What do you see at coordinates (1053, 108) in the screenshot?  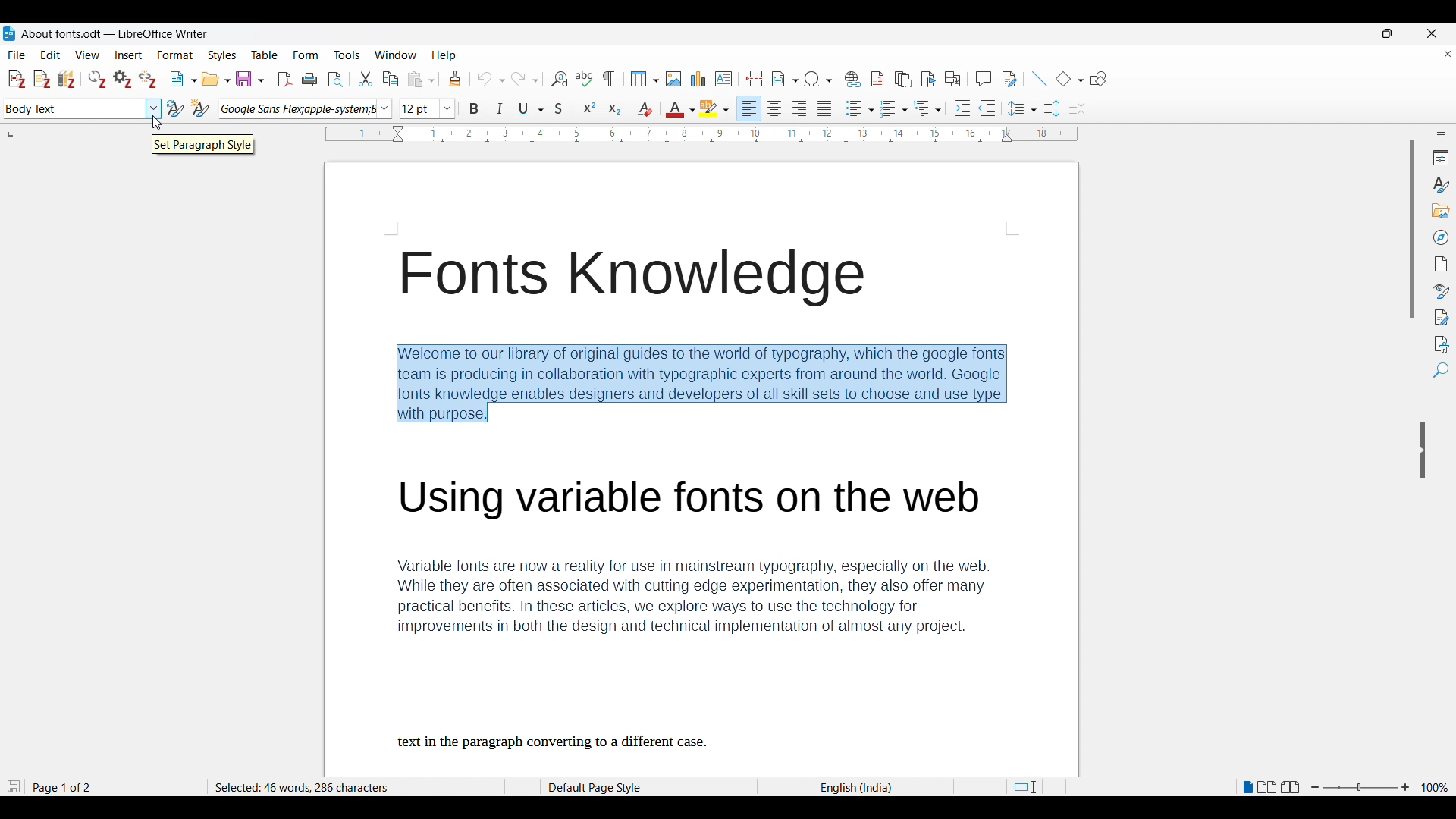 I see `Increase paragraph space` at bounding box center [1053, 108].